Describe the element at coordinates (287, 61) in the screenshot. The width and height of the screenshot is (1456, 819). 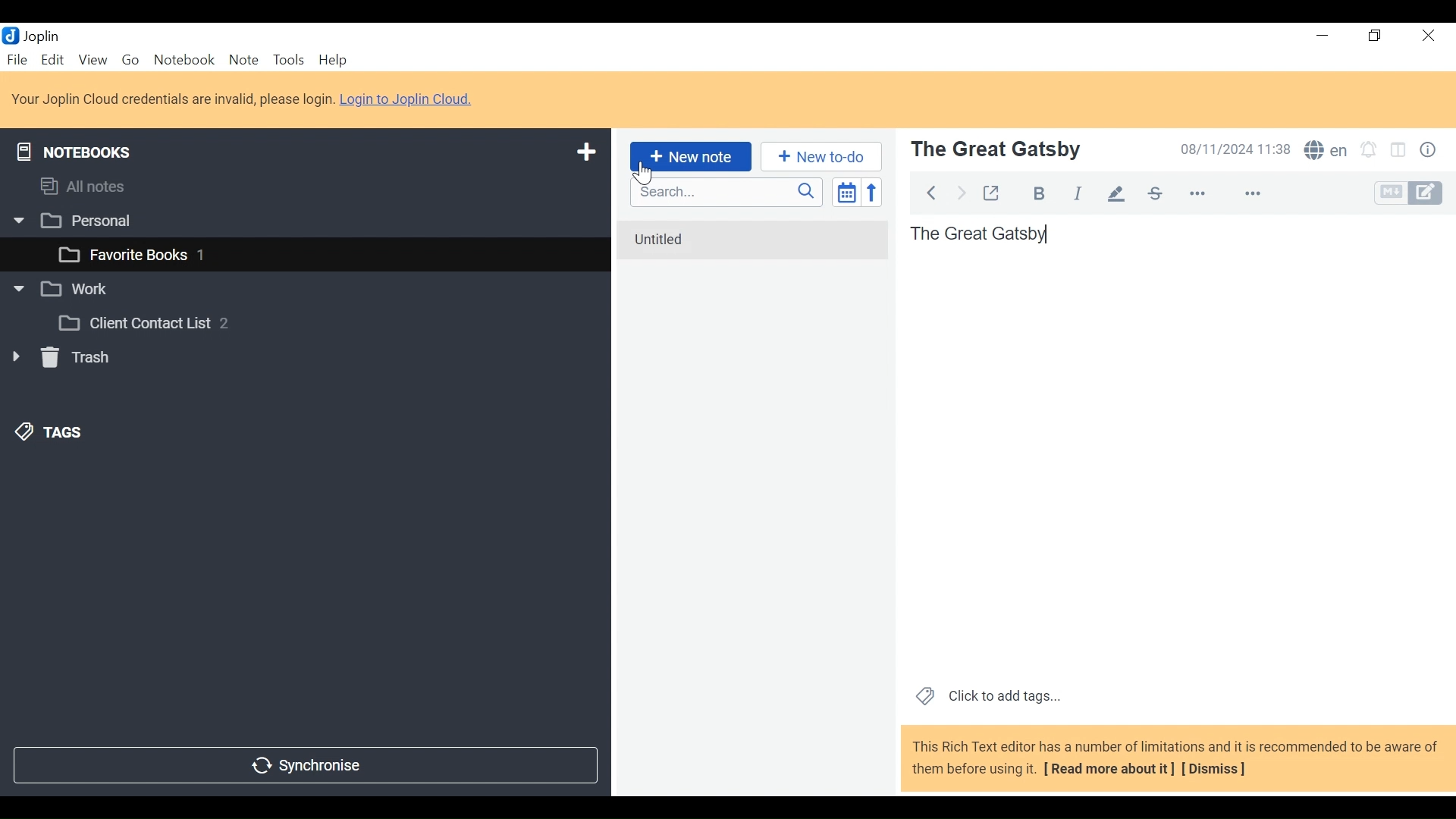
I see `Tools` at that location.